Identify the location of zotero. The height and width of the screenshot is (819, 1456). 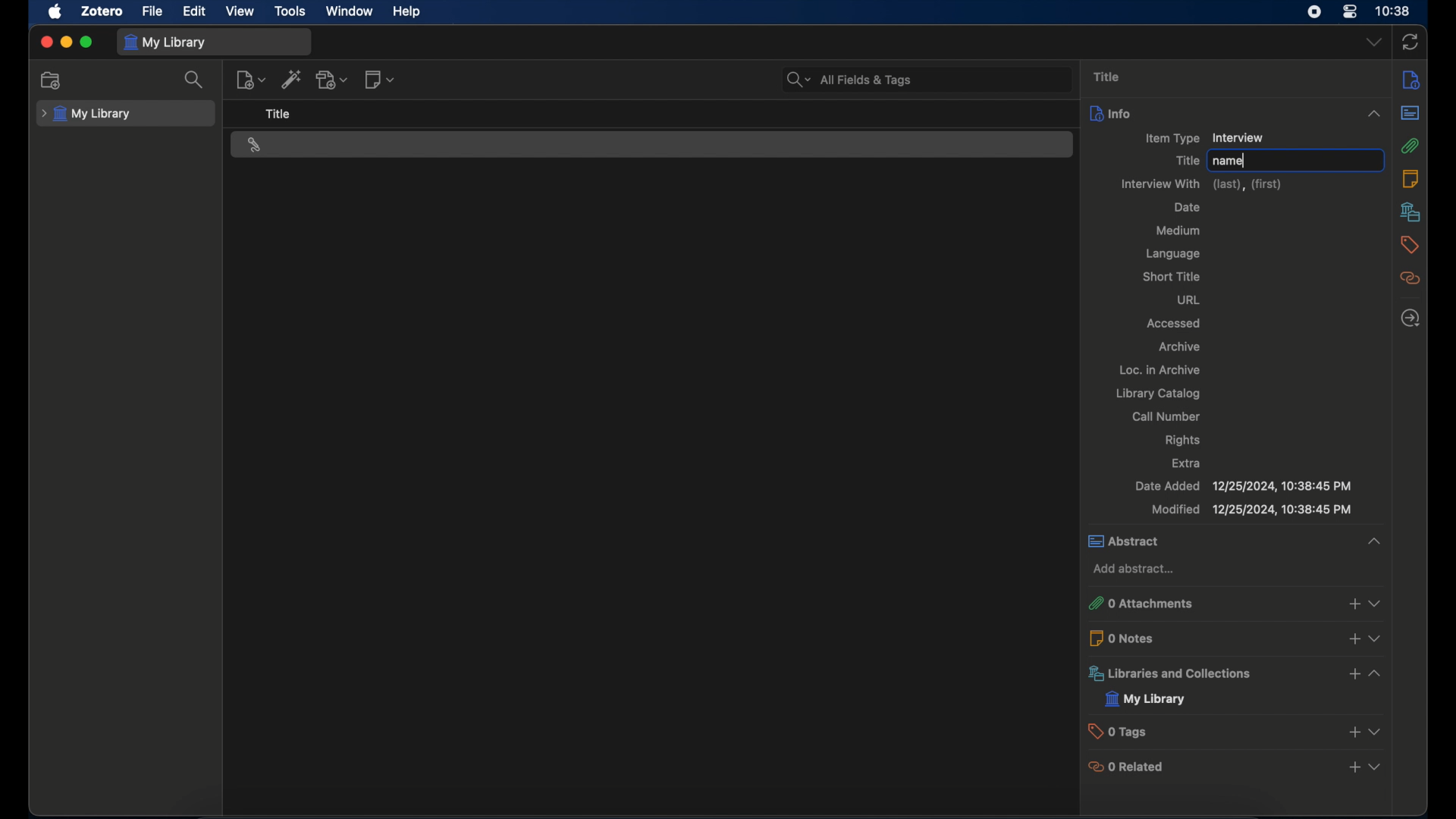
(104, 11).